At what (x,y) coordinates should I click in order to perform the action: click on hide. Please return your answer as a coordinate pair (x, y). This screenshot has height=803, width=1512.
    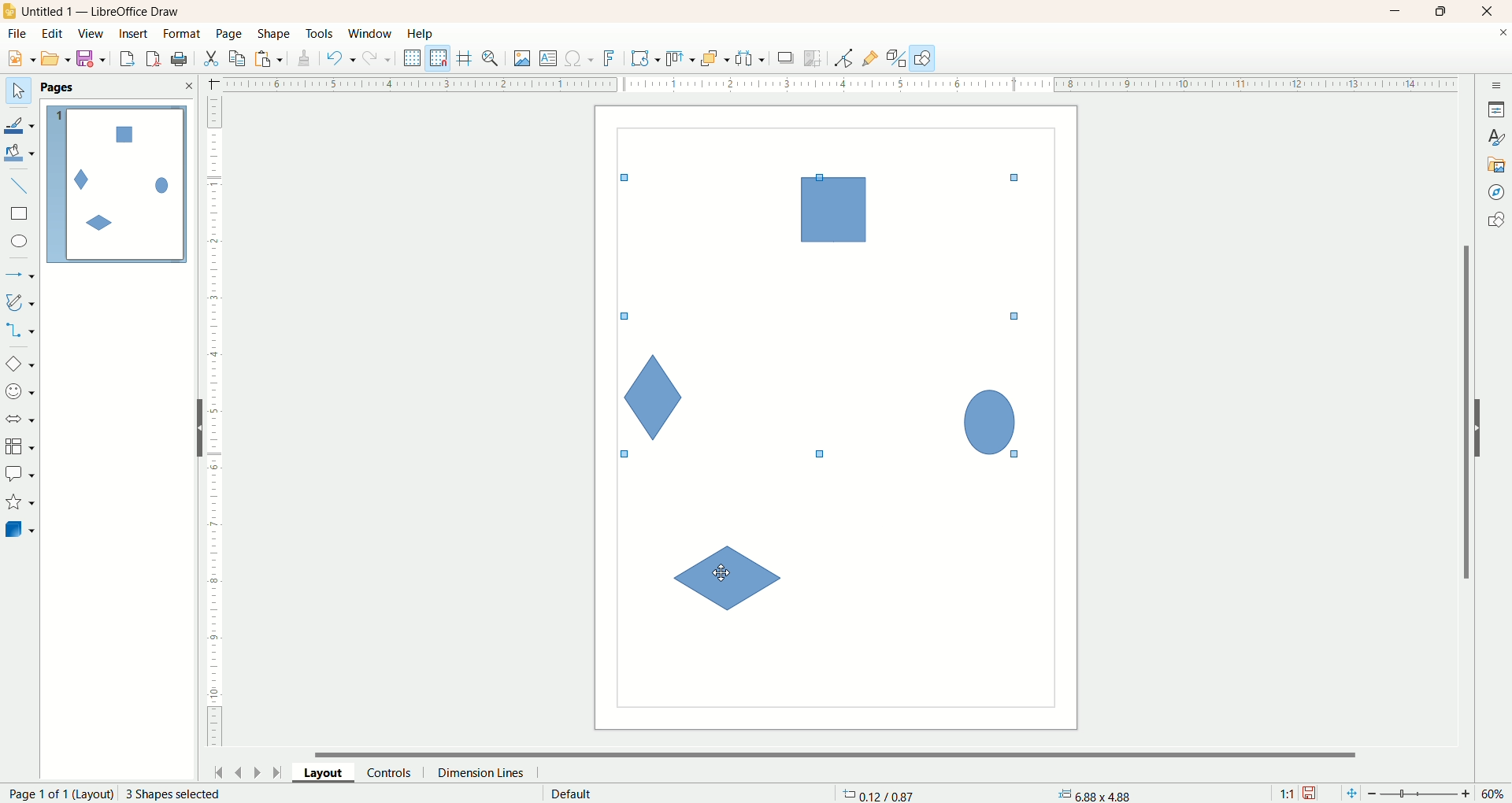
    Looking at the image, I should click on (1486, 425).